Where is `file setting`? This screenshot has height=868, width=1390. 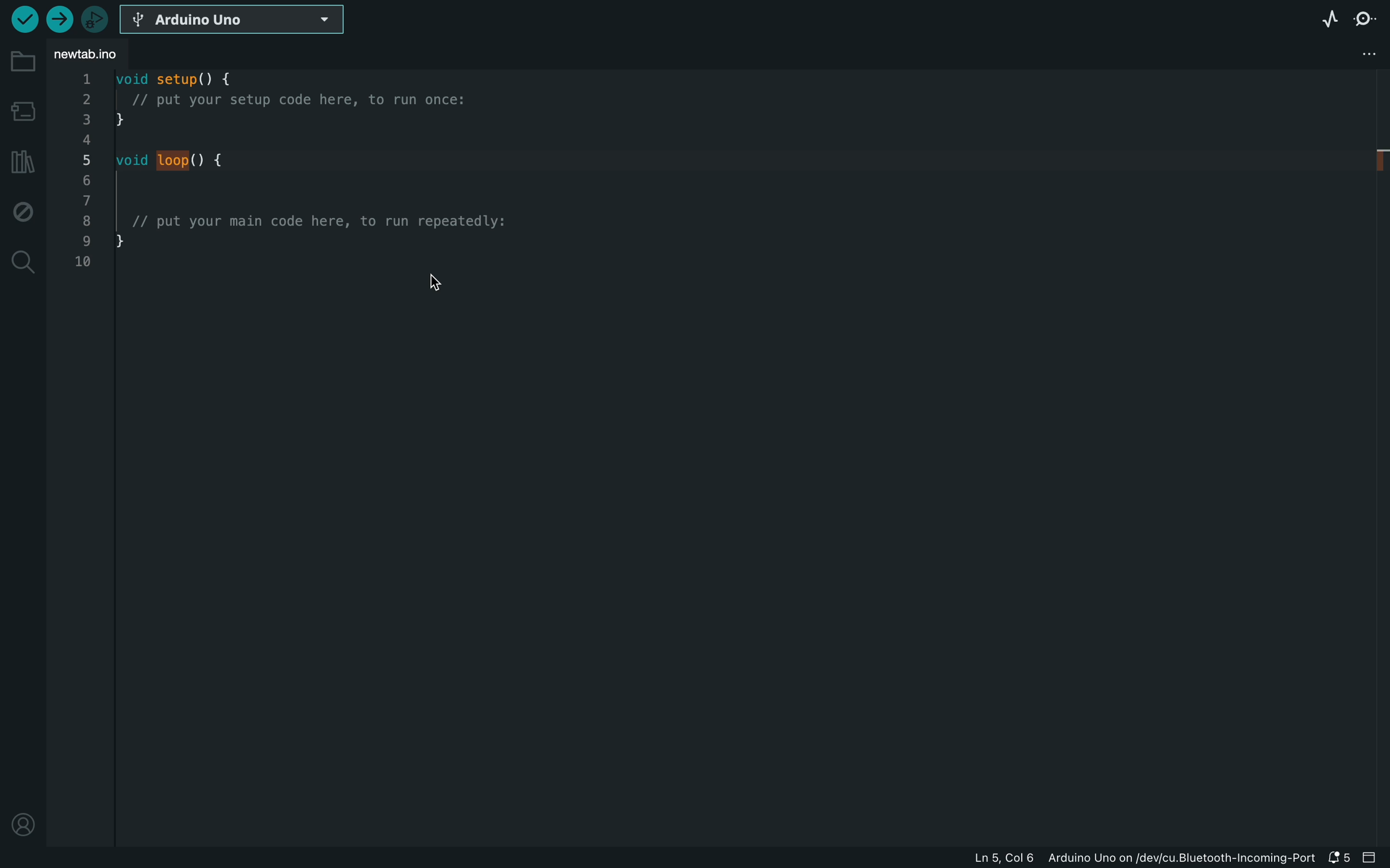
file setting is located at coordinates (1341, 55).